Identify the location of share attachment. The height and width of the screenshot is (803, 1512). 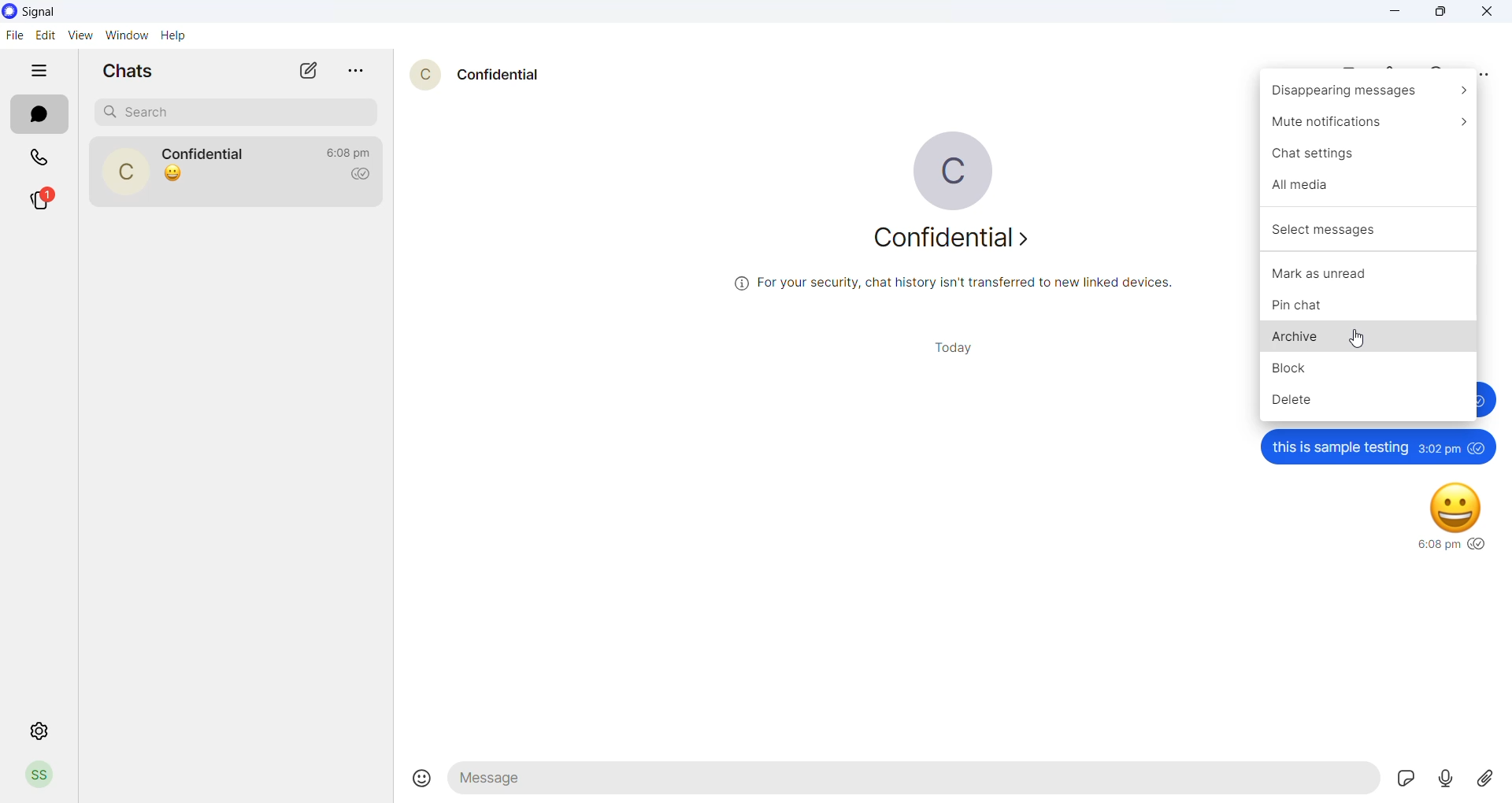
(1488, 778).